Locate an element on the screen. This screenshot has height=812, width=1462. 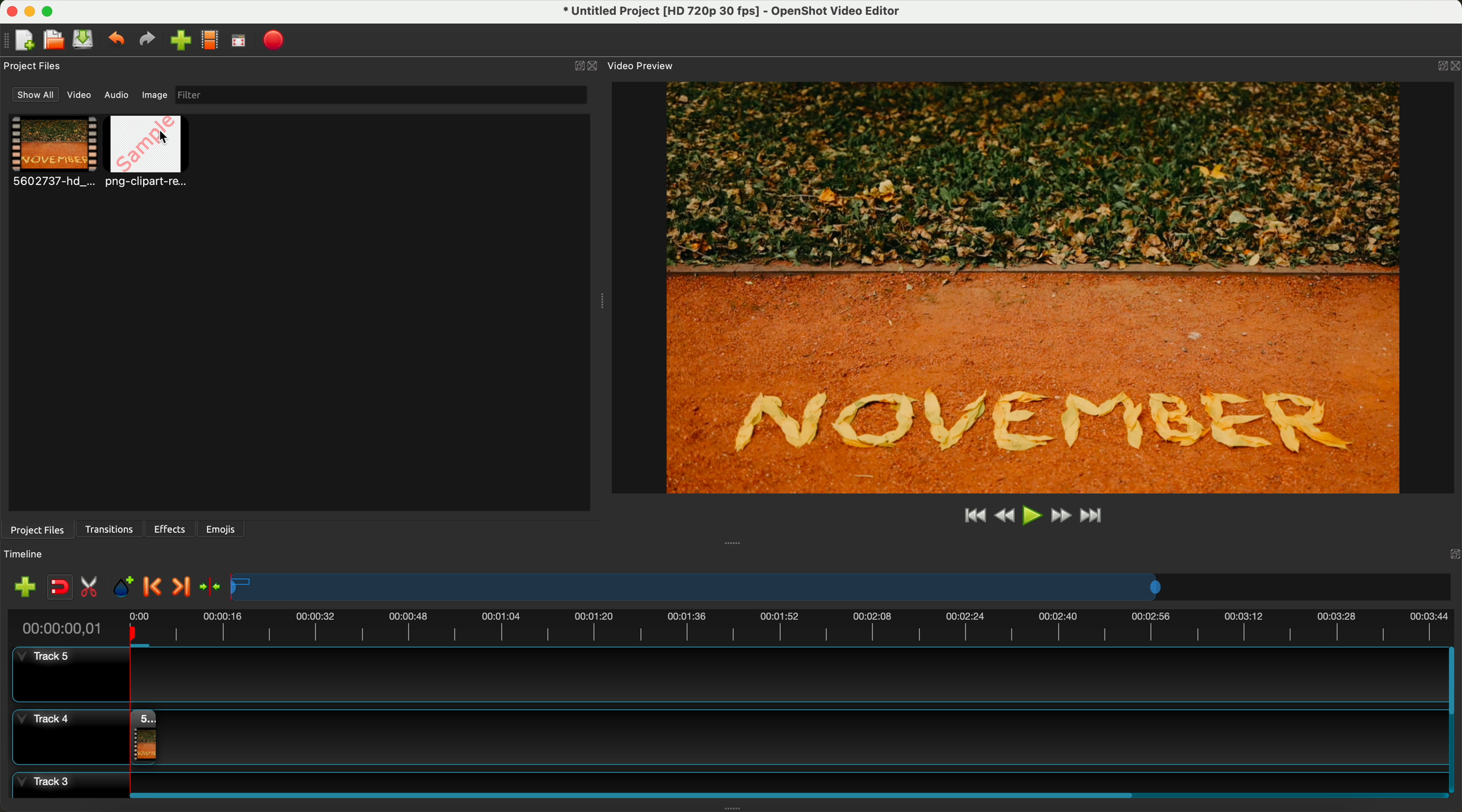
filter is located at coordinates (378, 95).